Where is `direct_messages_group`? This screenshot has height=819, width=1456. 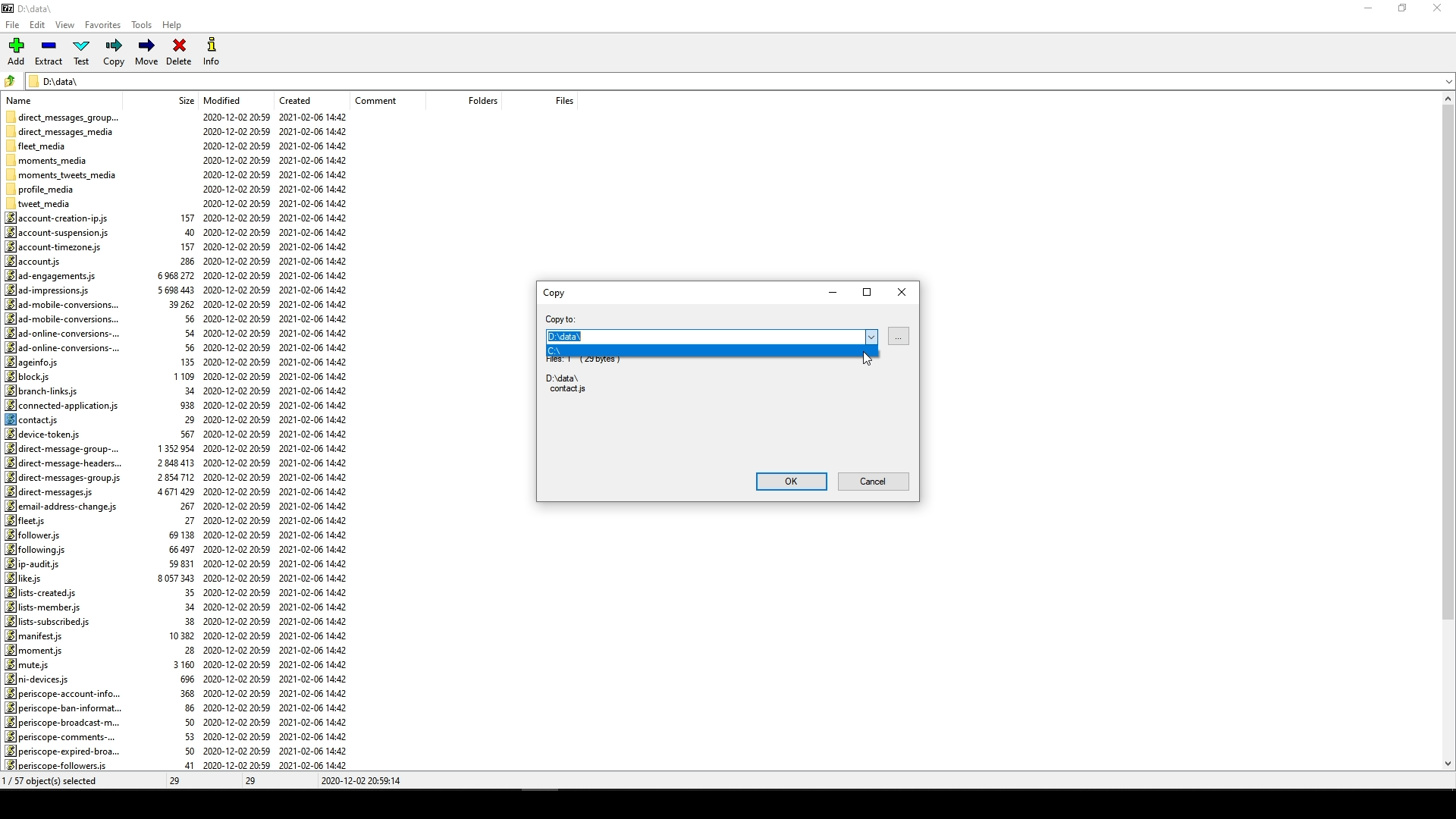 direct_messages_group is located at coordinates (64, 115).